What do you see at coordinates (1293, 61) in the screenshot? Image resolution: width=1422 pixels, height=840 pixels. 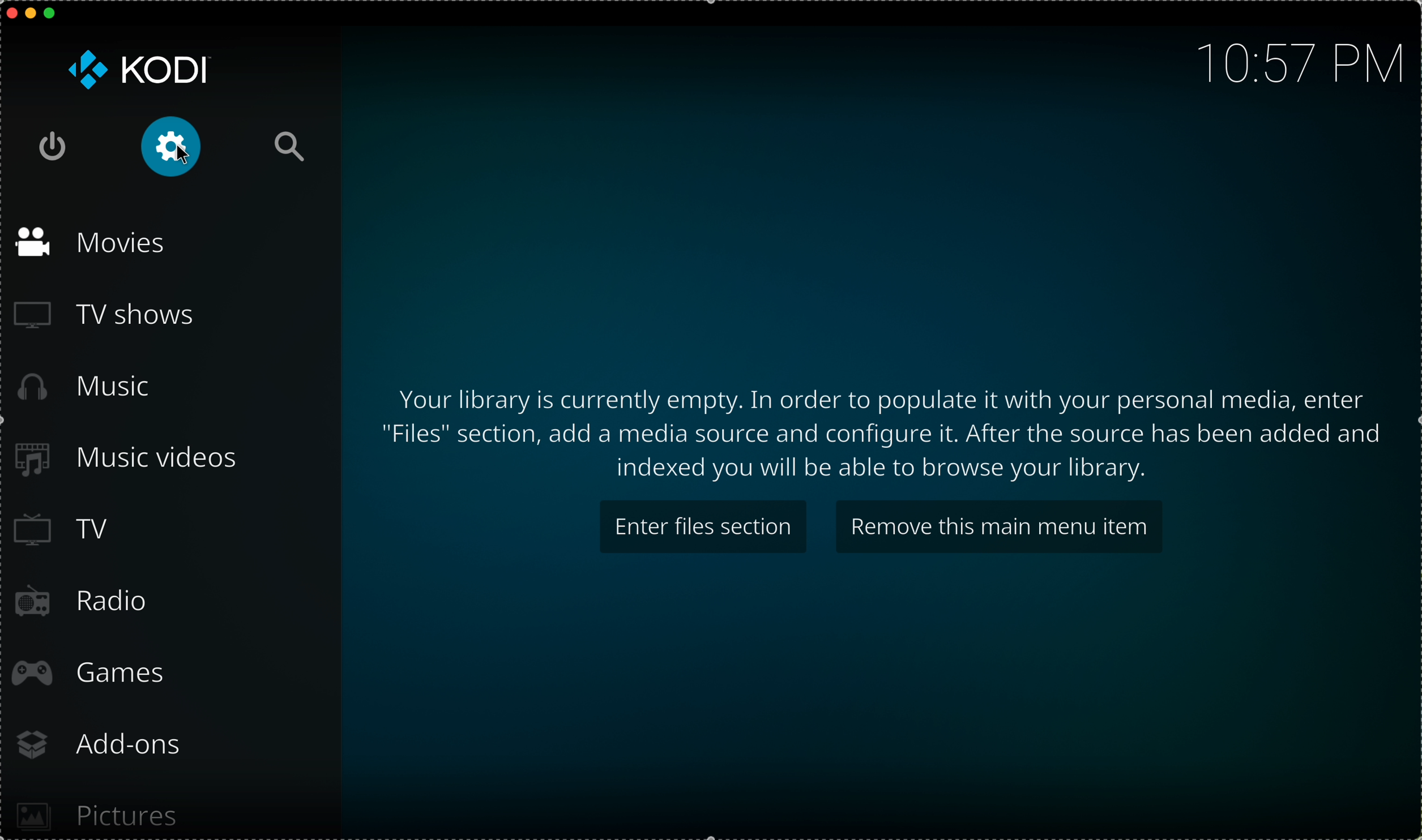 I see `10:57 PM` at bounding box center [1293, 61].